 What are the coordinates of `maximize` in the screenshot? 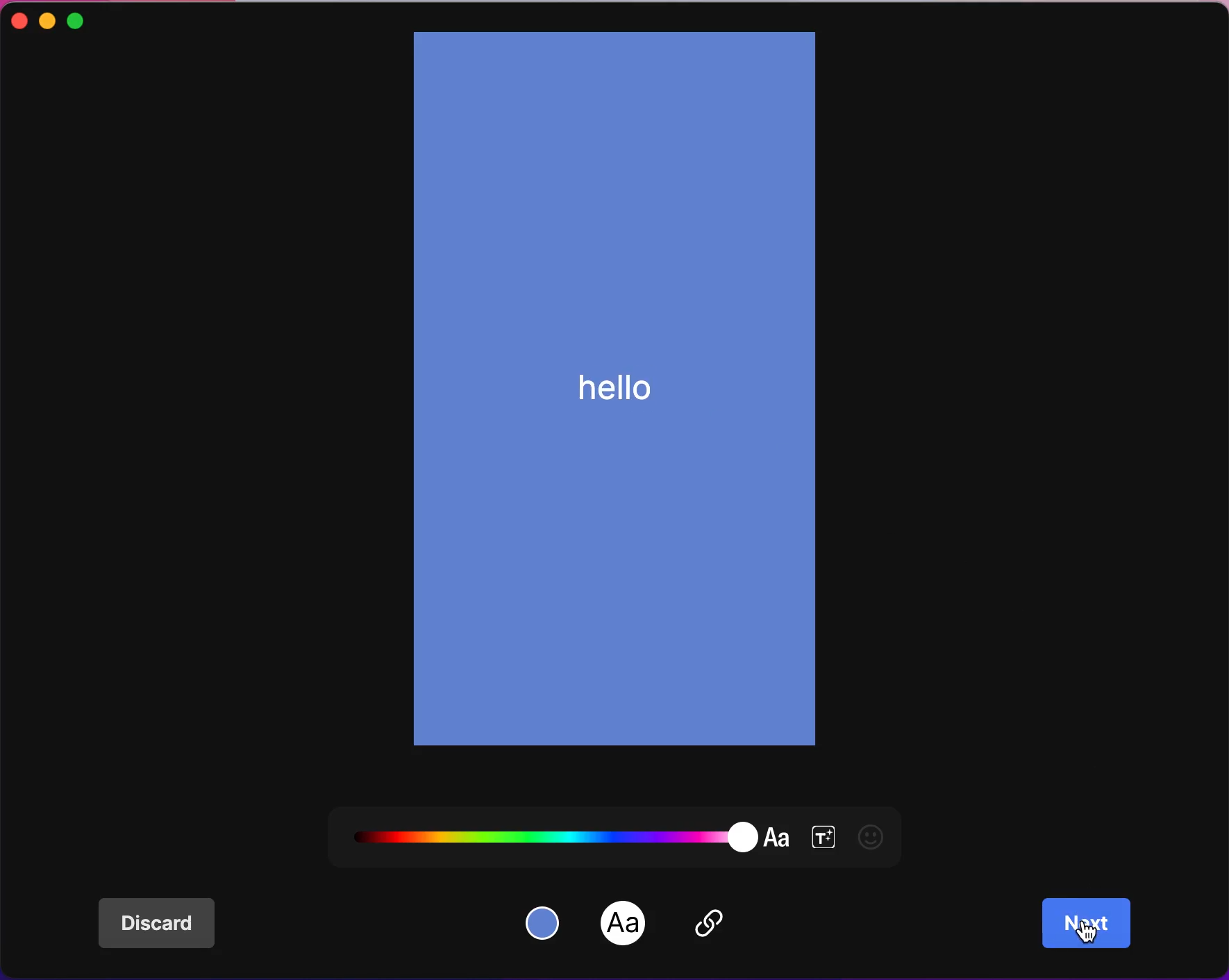 It's located at (92, 19).